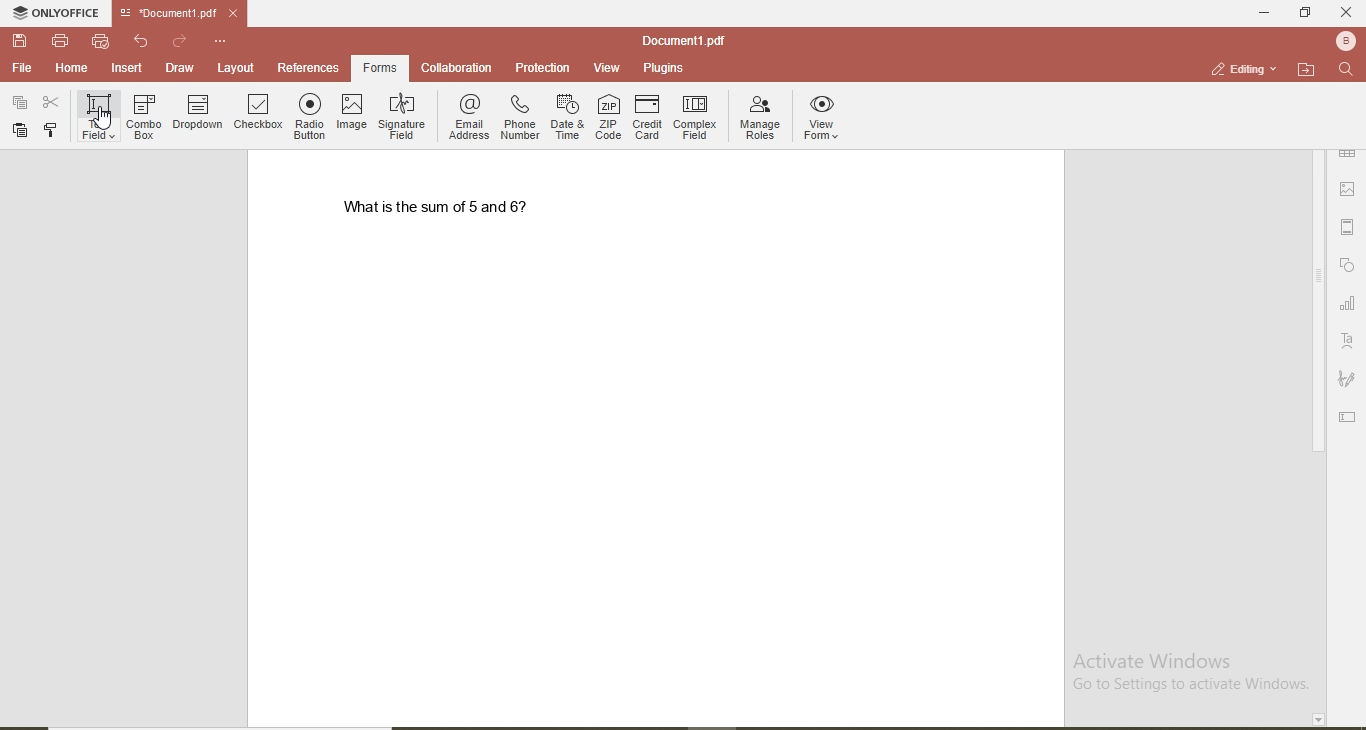 The image size is (1366, 730). What do you see at coordinates (648, 115) in the screenshot?
I see `credit card` at bounding box center [648, 115].